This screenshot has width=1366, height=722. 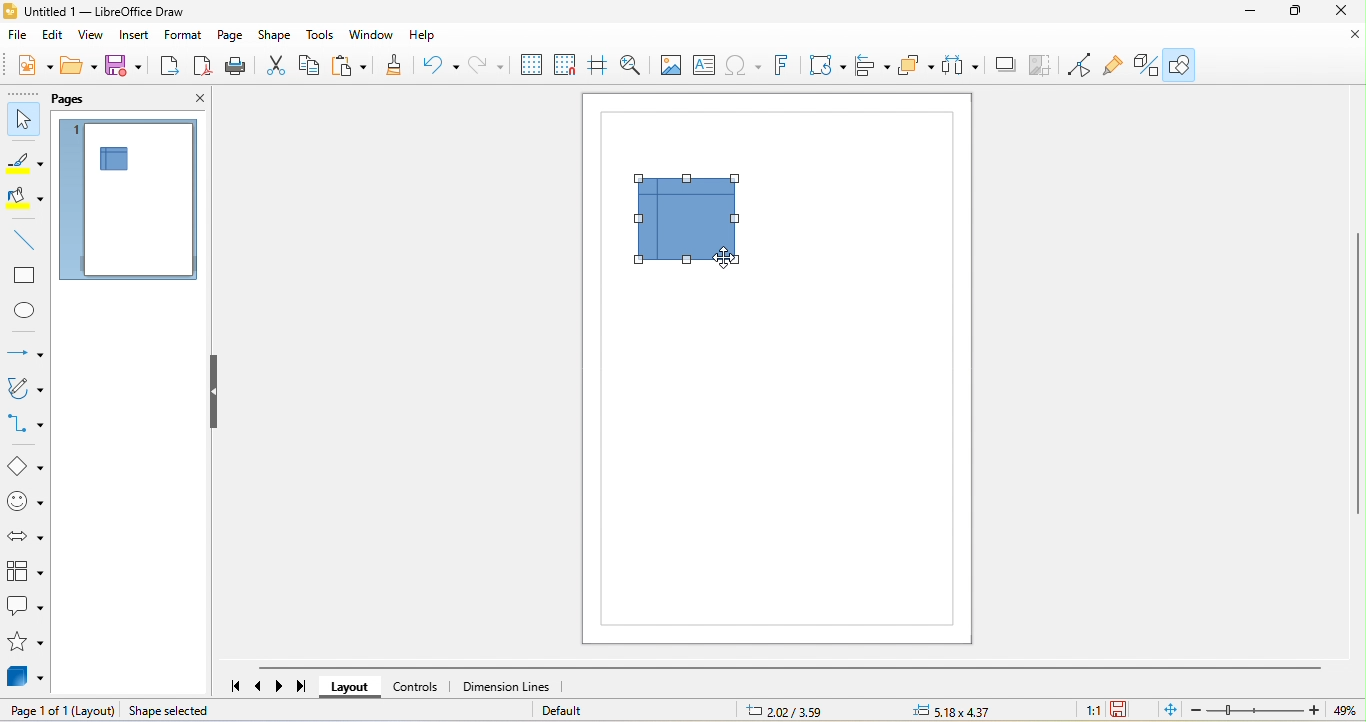 What do you see at coordinates (186, 36) in the screenshot?
I see `format` at bounding box center [186, 36].